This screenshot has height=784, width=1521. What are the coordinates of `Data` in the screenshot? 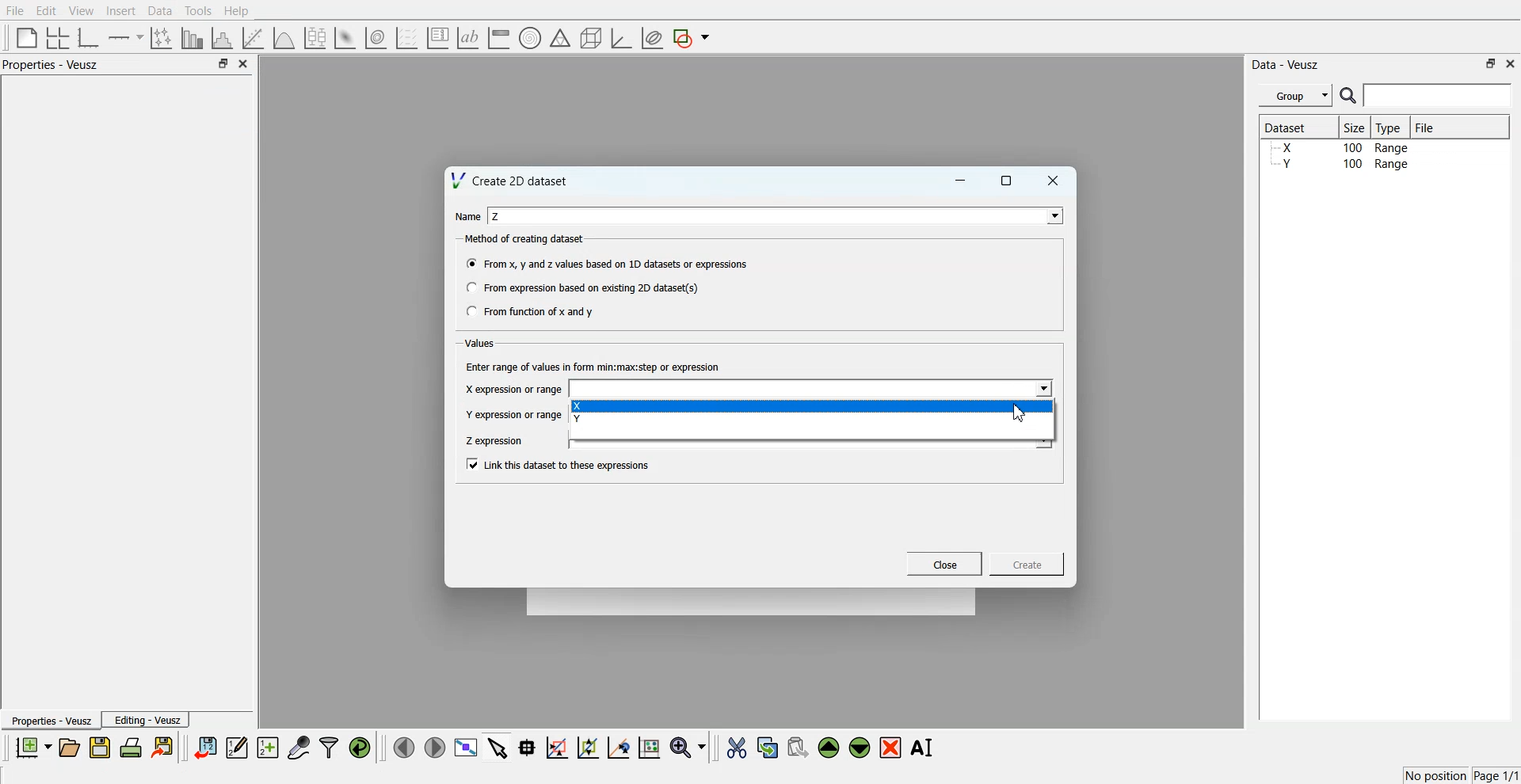 It's located at (162, 11).